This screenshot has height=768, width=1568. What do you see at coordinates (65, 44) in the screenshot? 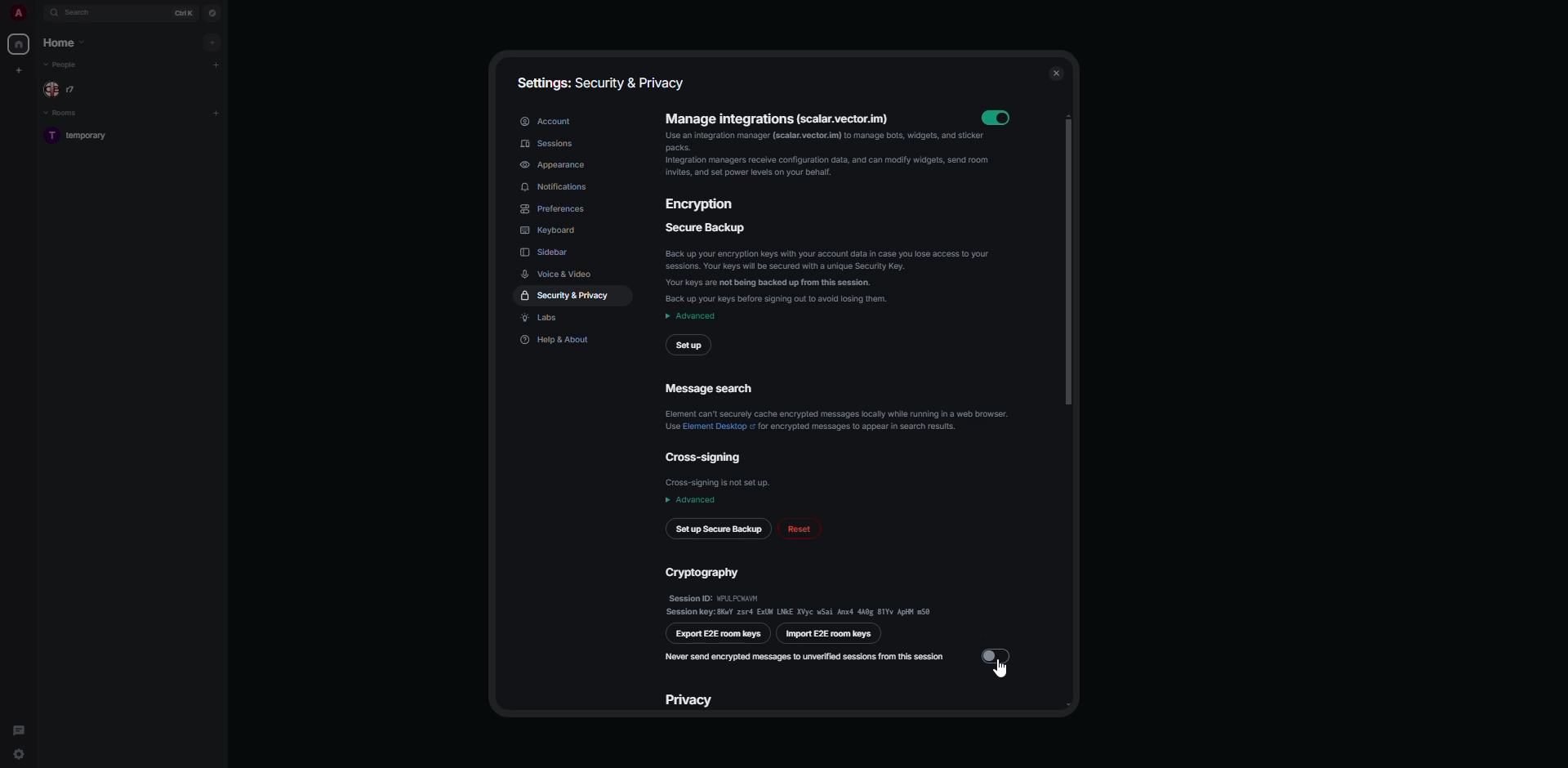
I see `home` at bounding box center [65, 44].